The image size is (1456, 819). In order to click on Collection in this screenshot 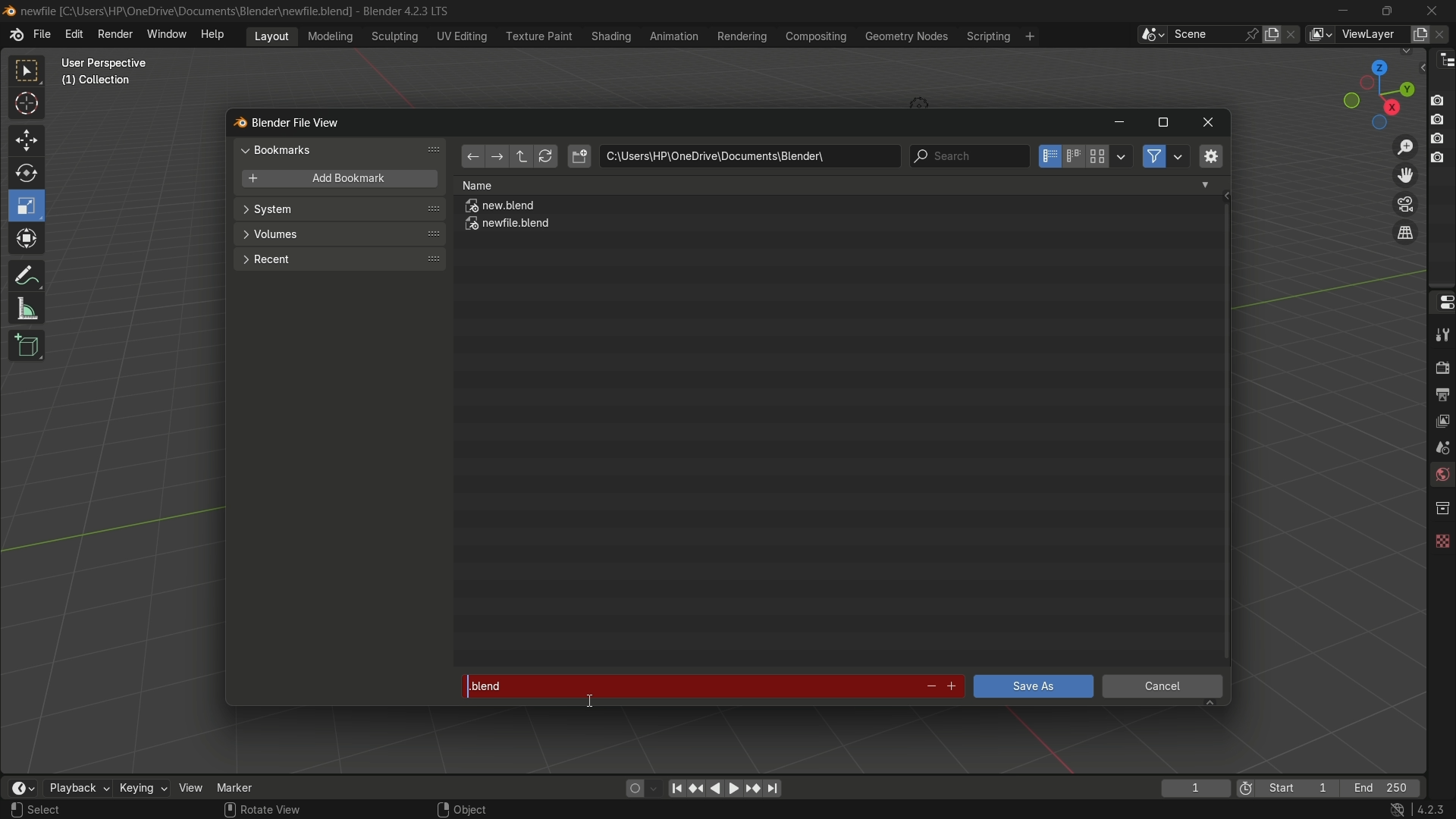, I will do `click(99, 83)`.